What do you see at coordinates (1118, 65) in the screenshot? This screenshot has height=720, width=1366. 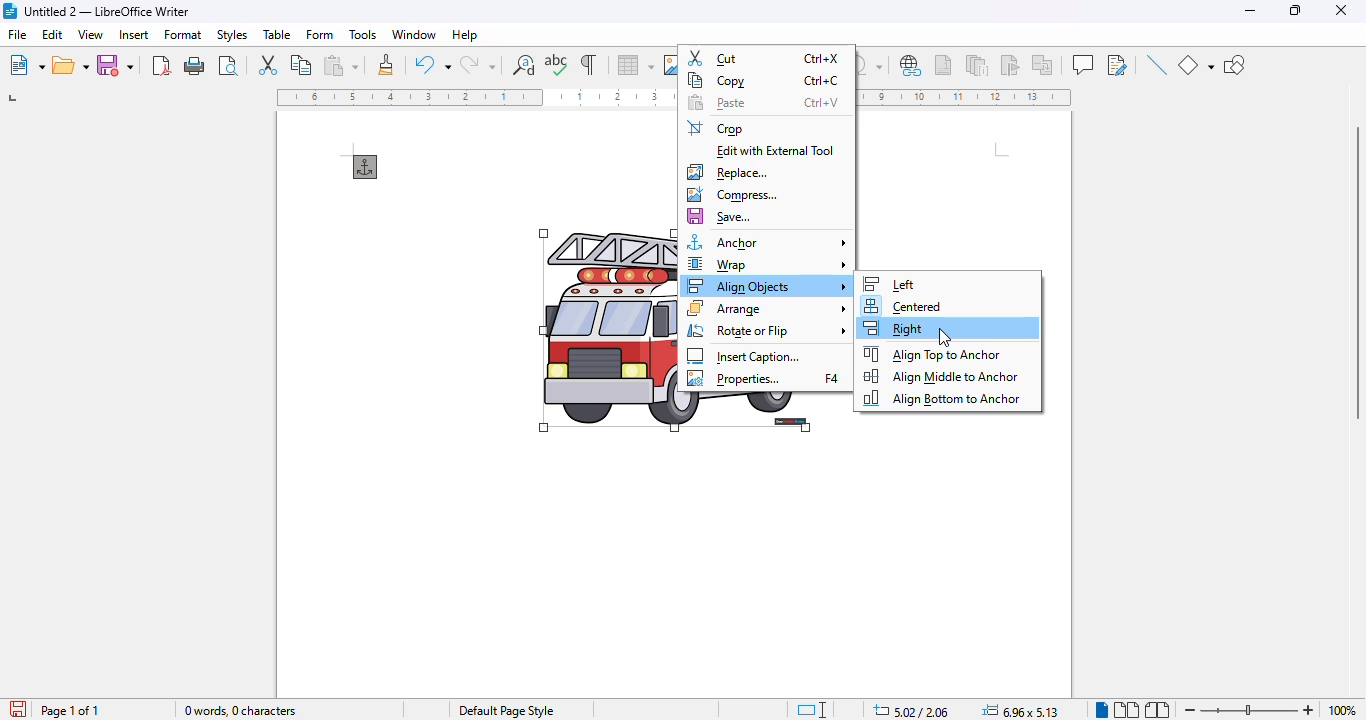 I see `show track changes functions` at bounding box center [1118, 65].